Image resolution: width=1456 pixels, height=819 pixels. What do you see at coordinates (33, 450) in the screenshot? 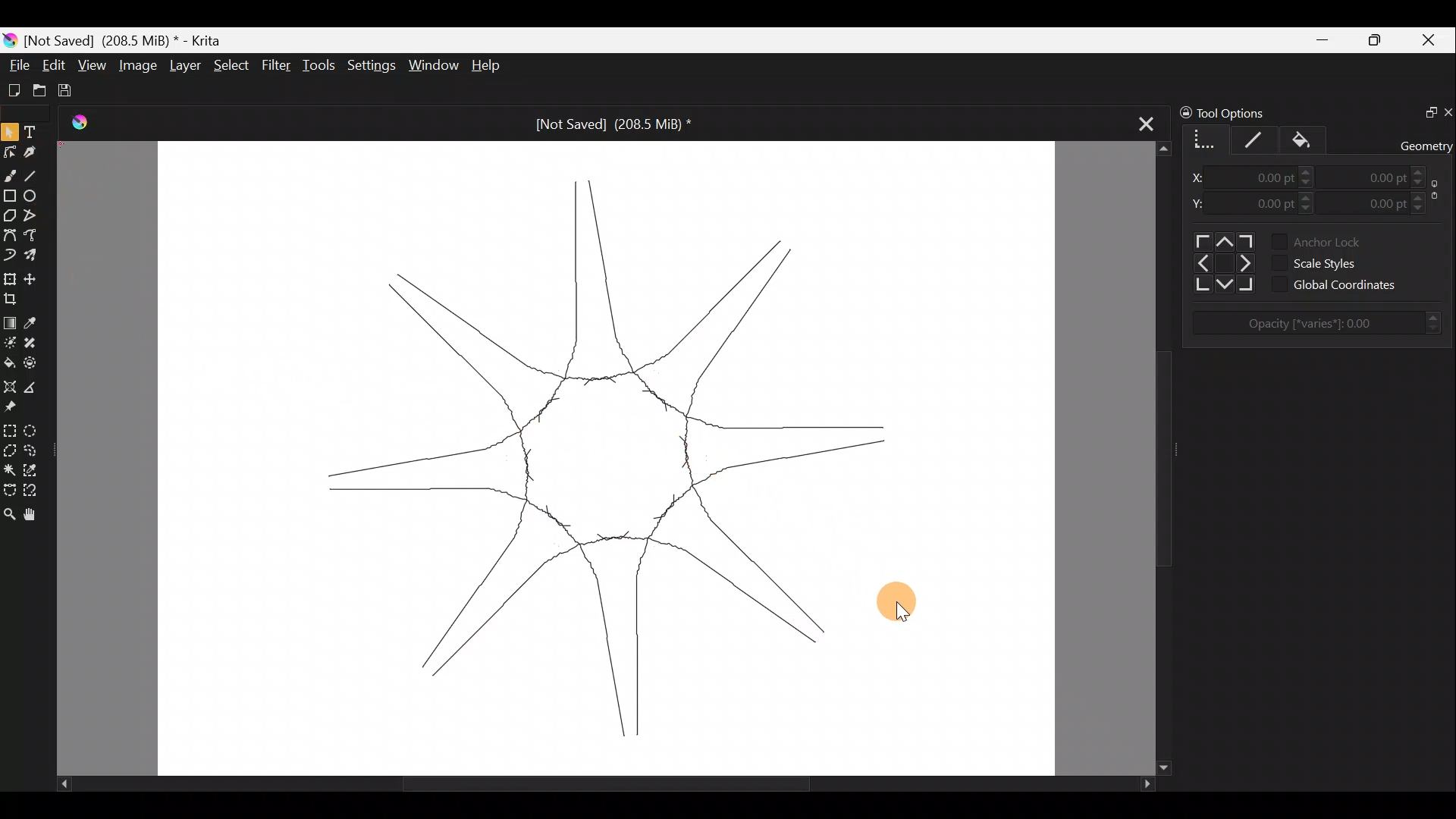
I see `Freehand selection tool` at bounding box center [33, 450].